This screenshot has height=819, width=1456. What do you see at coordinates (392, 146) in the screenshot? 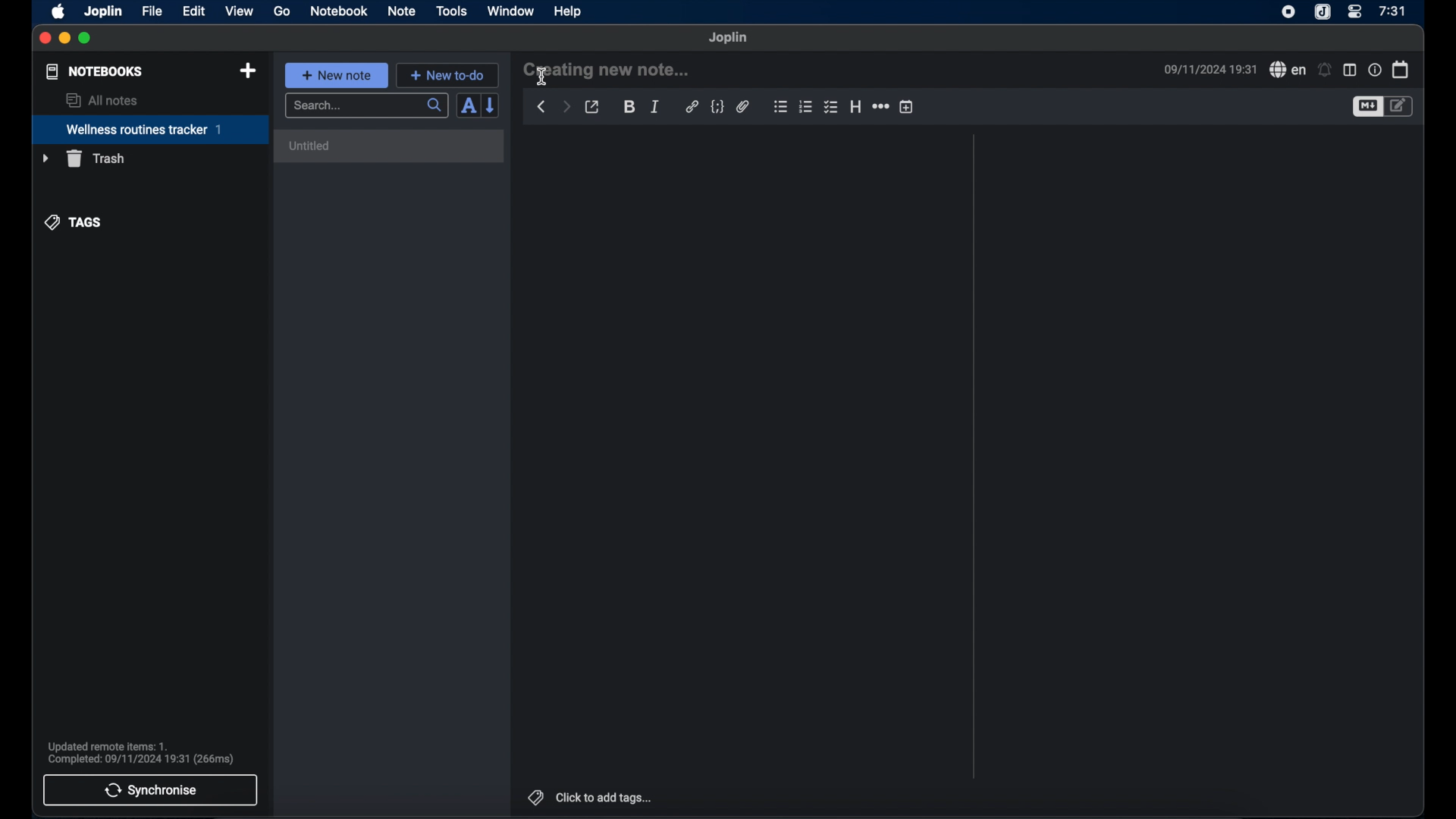
I see `untitled` at bounding box center [392, 146].